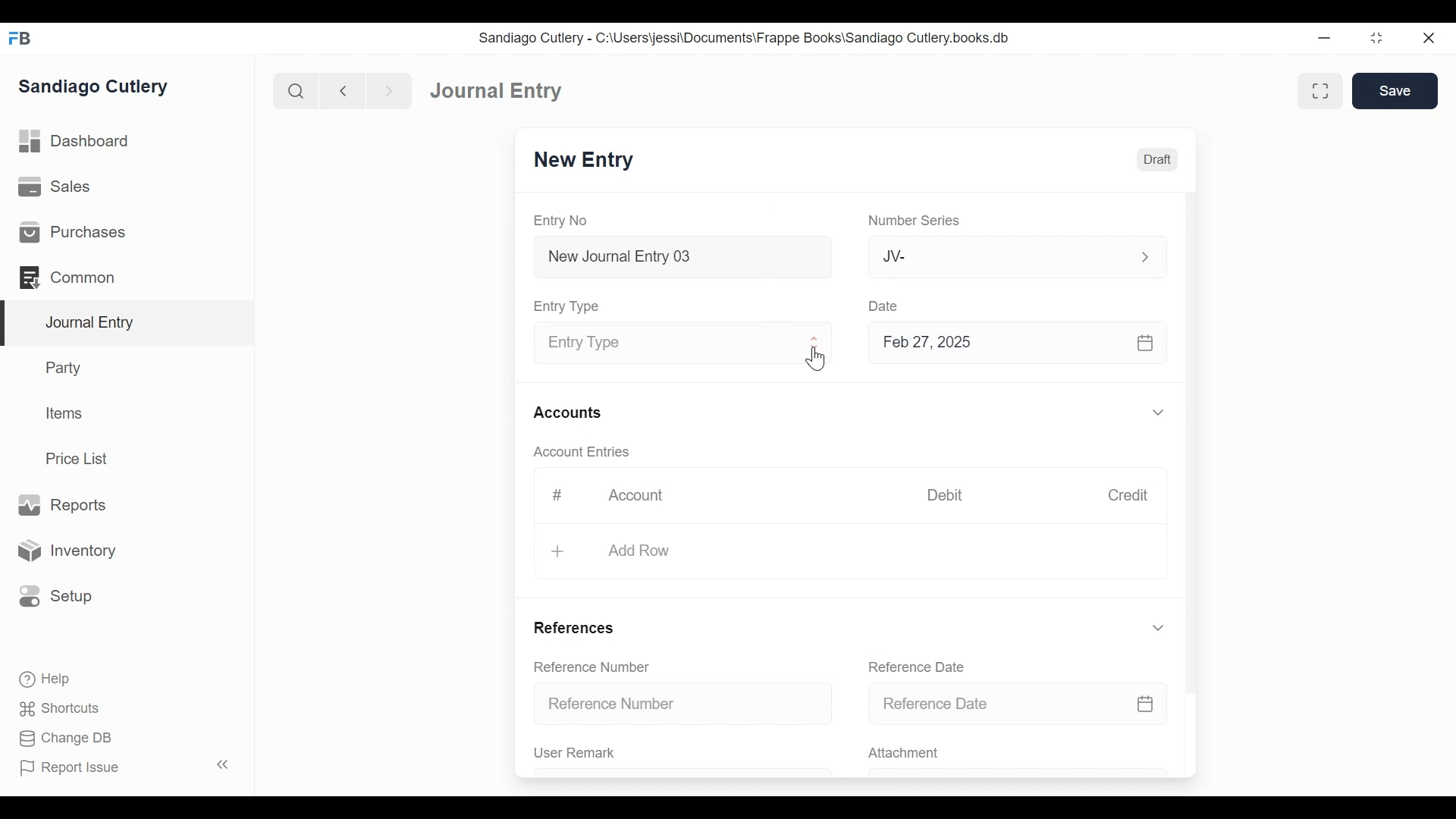 This screenshot has width=1456, height=819. I want to click on Report Issue, so click(71, 768).